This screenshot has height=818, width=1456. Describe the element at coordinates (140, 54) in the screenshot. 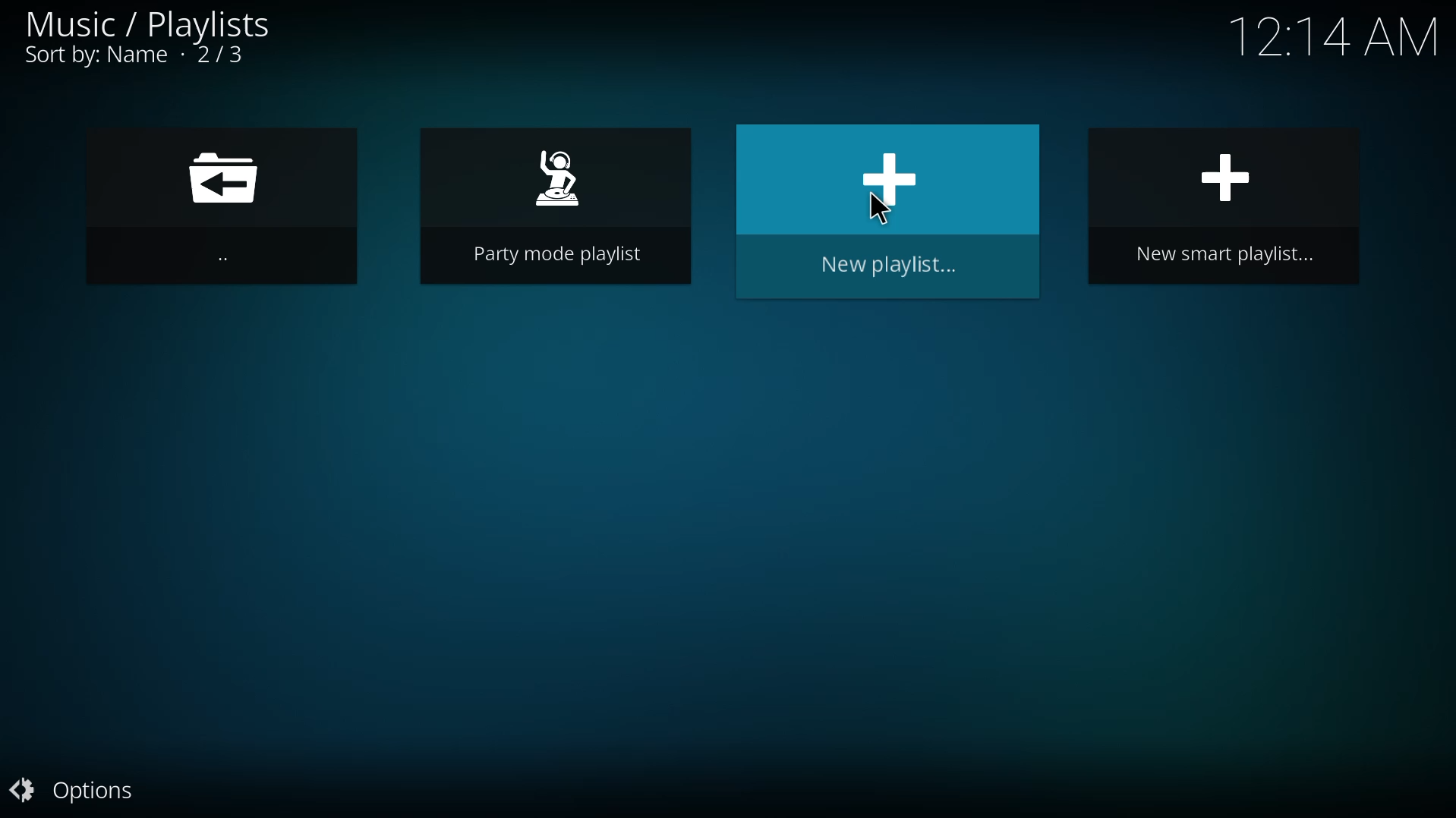

I see `sort by name` at that location.